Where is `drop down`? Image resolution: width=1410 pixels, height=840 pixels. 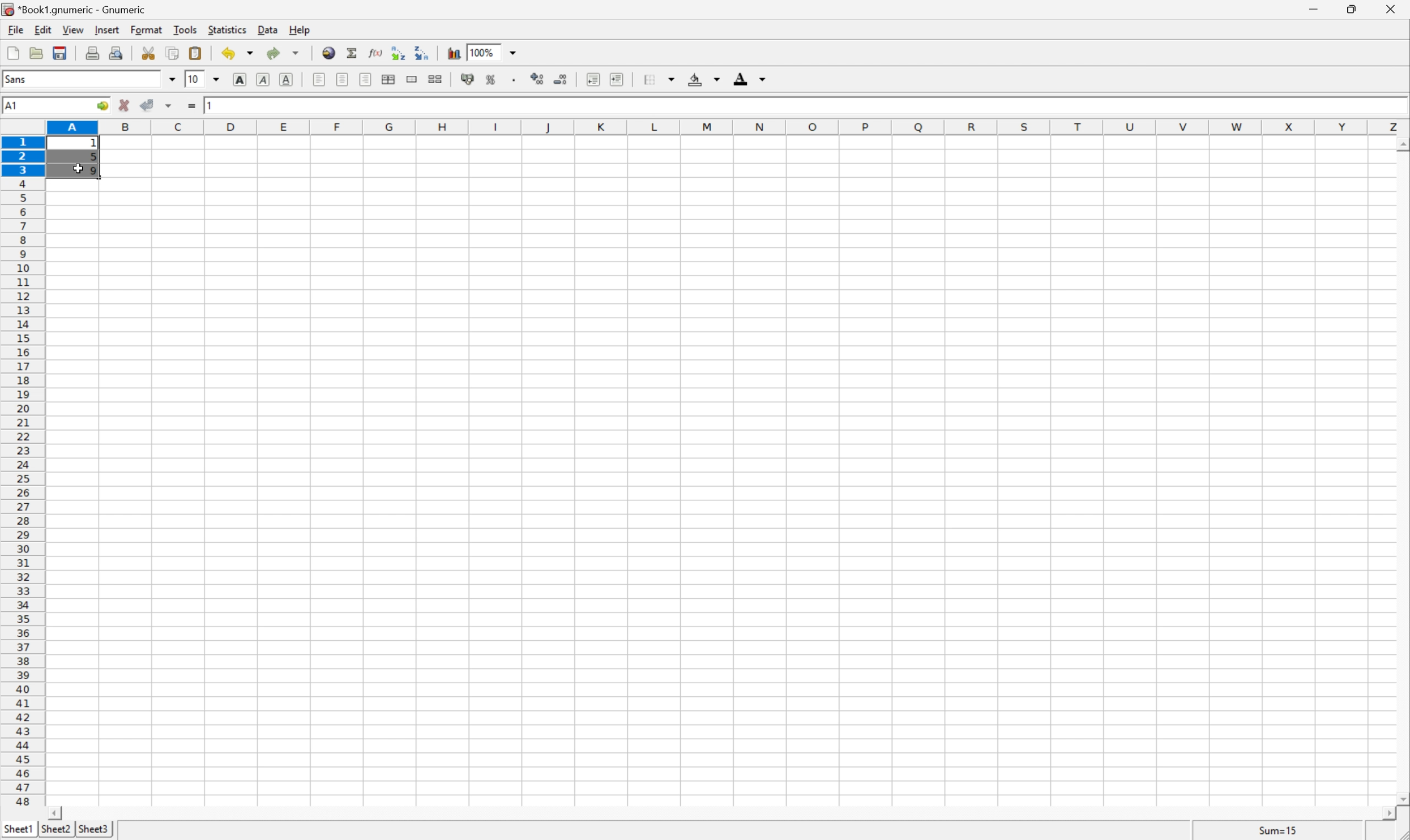
drop down is located at coordinates (220, 79).